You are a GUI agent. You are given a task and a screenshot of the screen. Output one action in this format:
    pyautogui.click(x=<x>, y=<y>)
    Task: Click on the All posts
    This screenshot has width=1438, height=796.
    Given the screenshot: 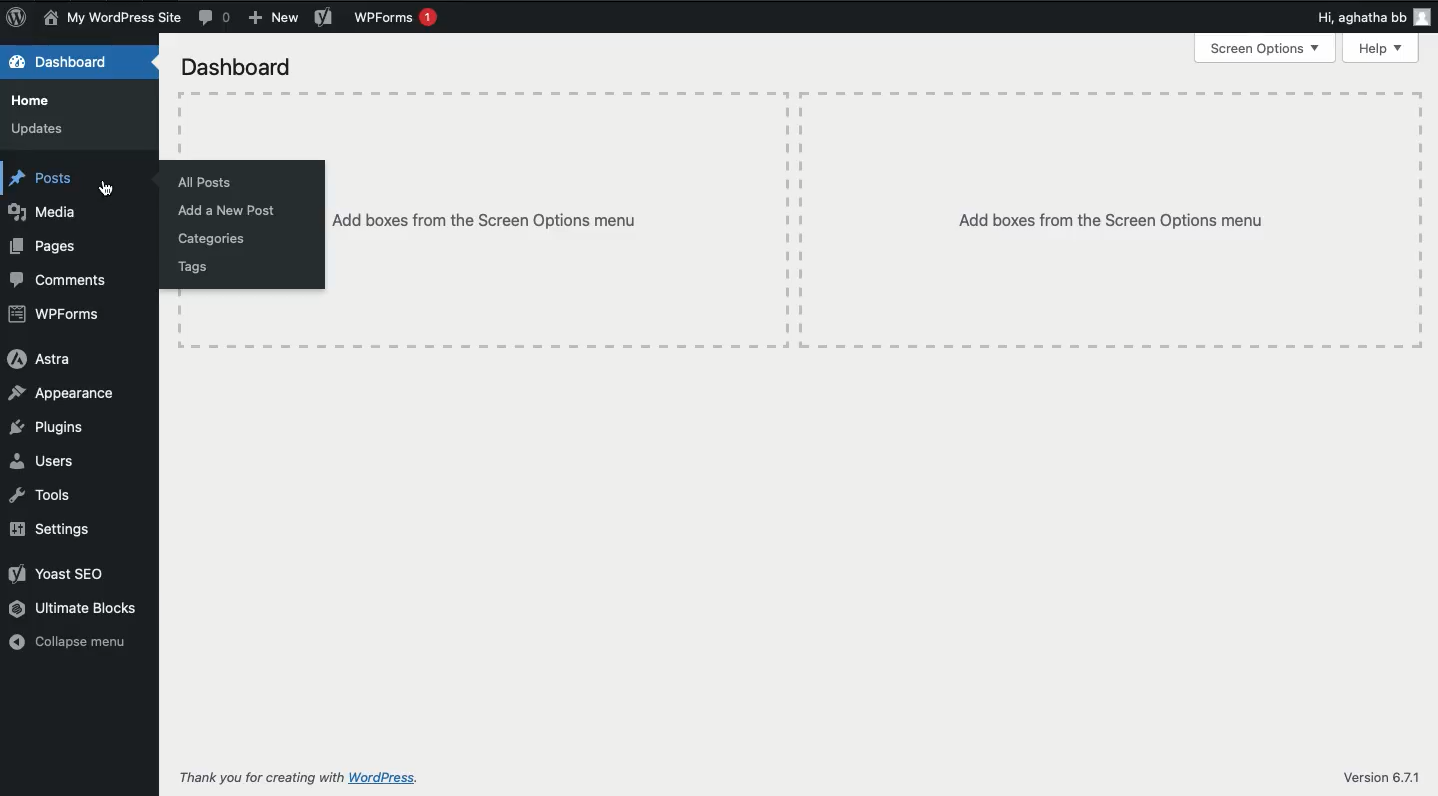 What is the action you would take?
    pyautogui.click(x=207, y=183)
    